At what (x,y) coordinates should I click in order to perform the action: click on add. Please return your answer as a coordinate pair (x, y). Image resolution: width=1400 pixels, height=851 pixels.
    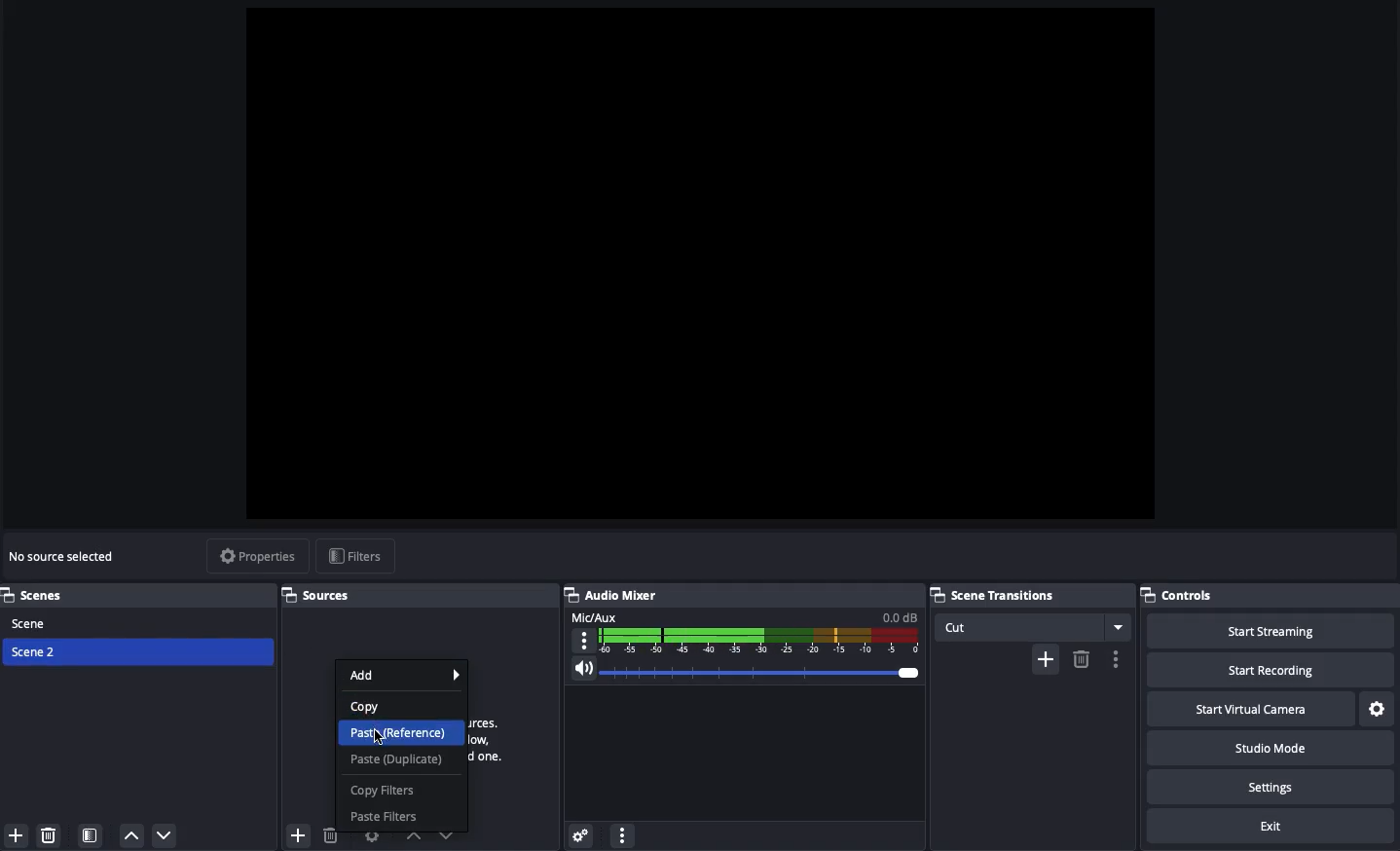
    Looking at the image, I should click on (1045, 659).